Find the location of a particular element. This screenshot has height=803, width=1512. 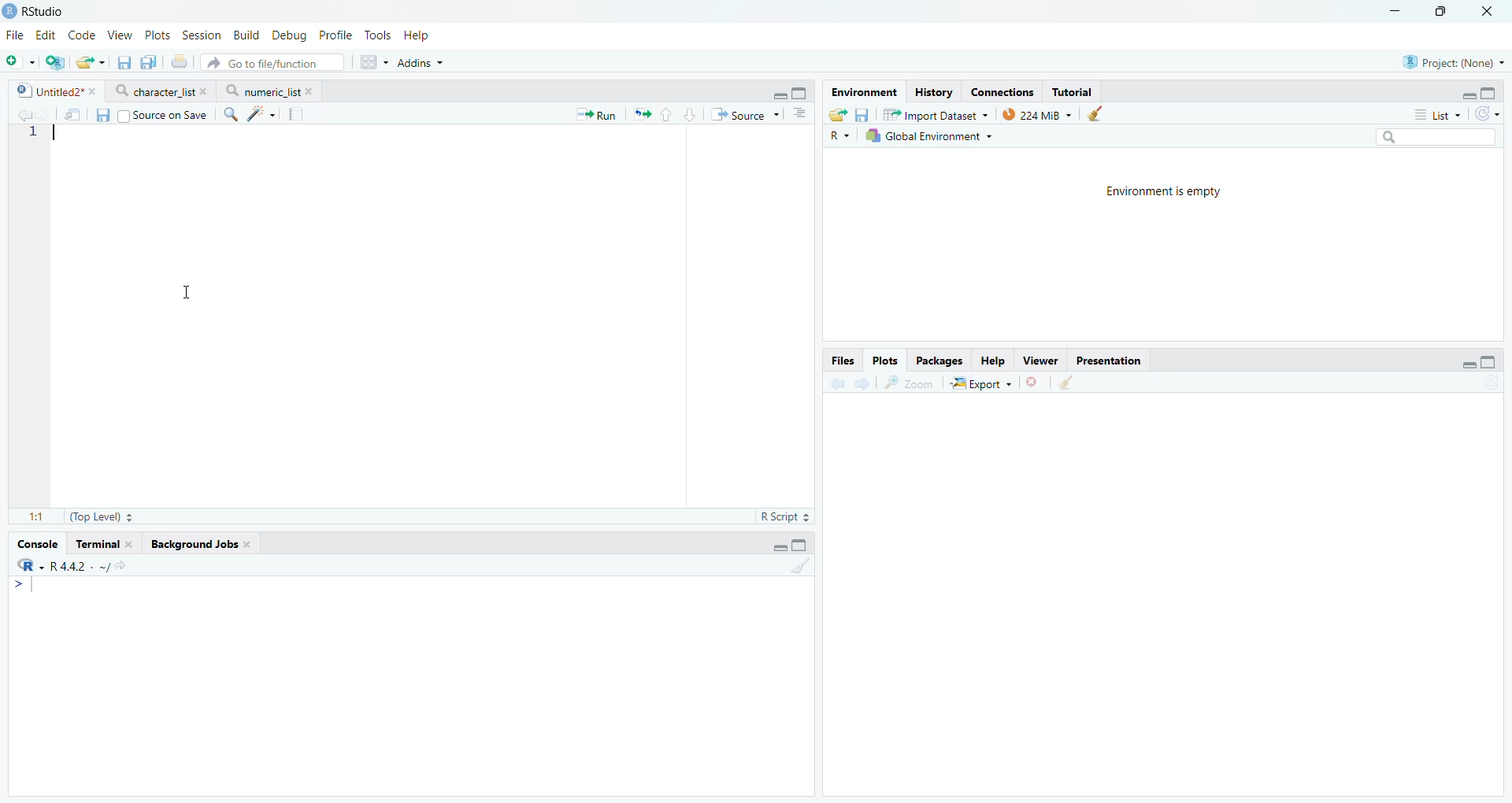

Hide is located at coordinates (779, 95).